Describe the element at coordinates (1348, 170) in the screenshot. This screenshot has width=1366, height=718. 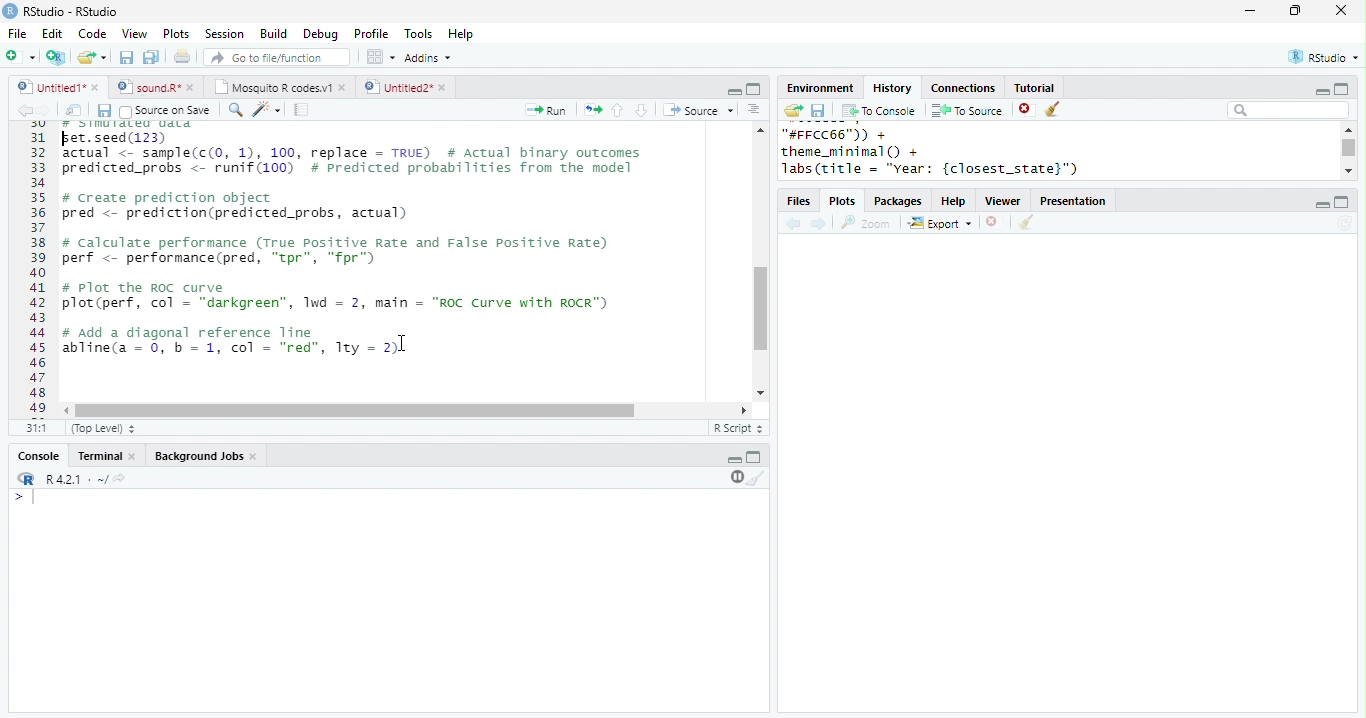
I see `scroll down` at that location.